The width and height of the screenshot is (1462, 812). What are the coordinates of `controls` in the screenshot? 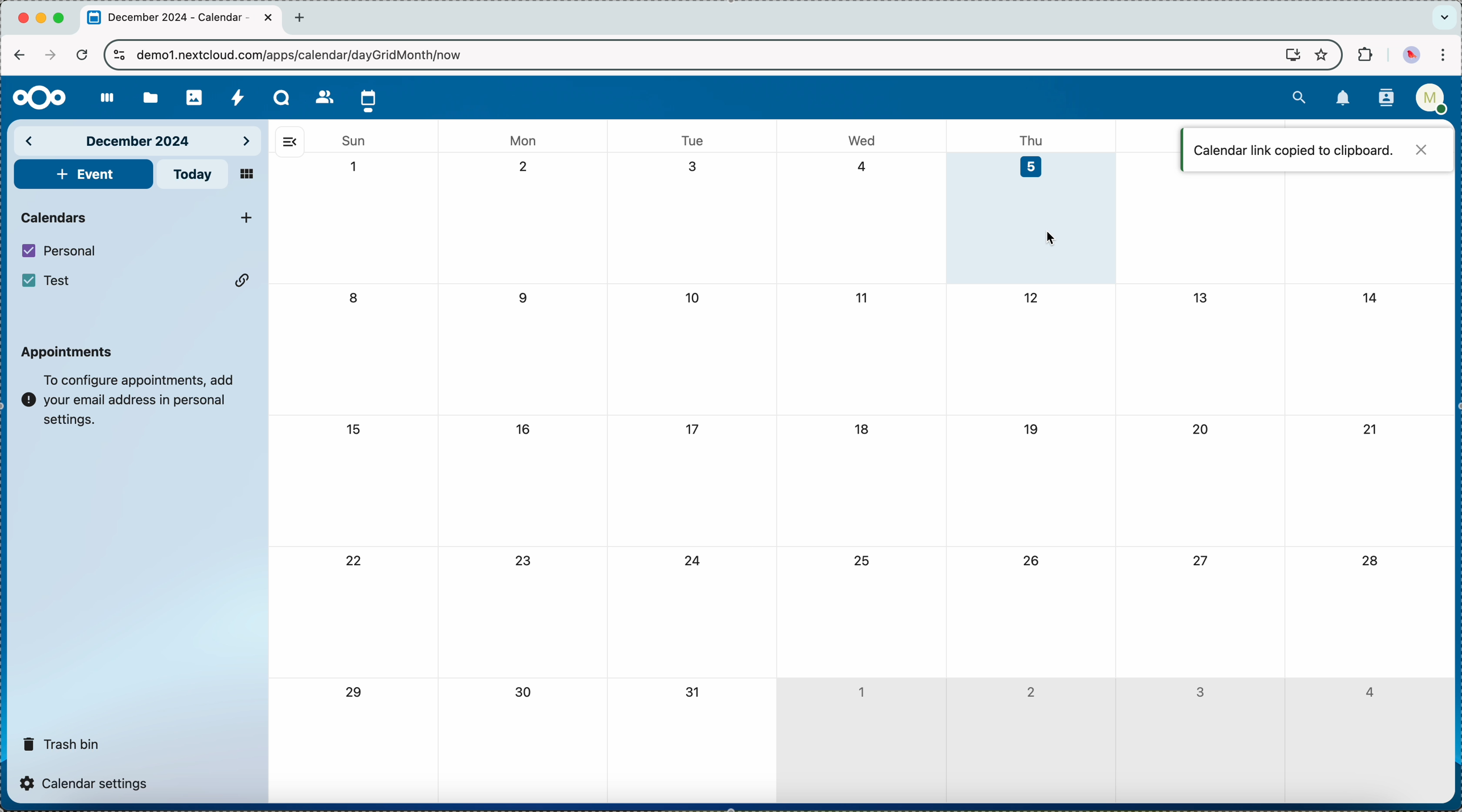 It's located at (120, 56).